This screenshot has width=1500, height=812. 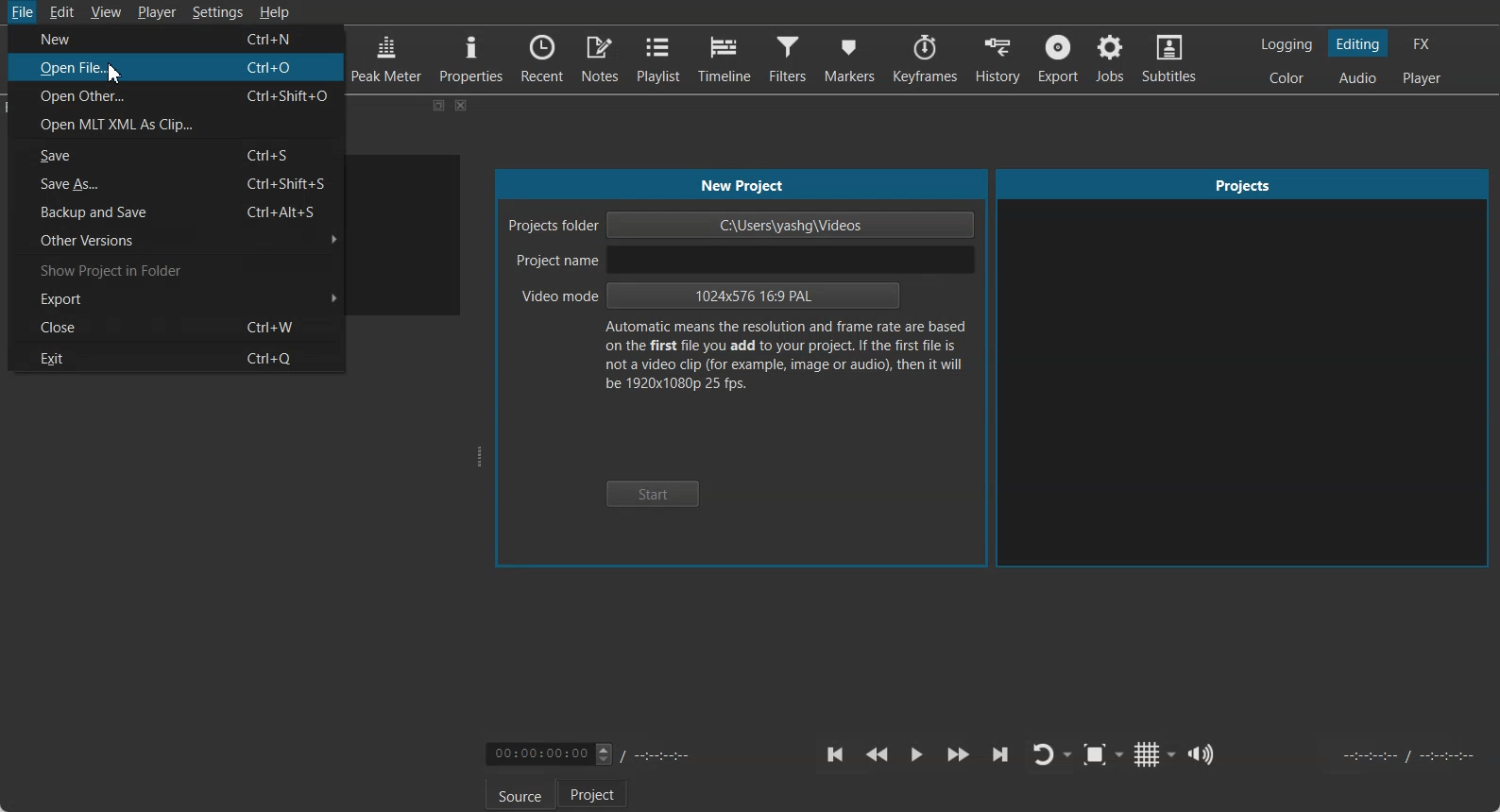 I want to click on Switch to the Editing layout, so click(x=1359, y=43).